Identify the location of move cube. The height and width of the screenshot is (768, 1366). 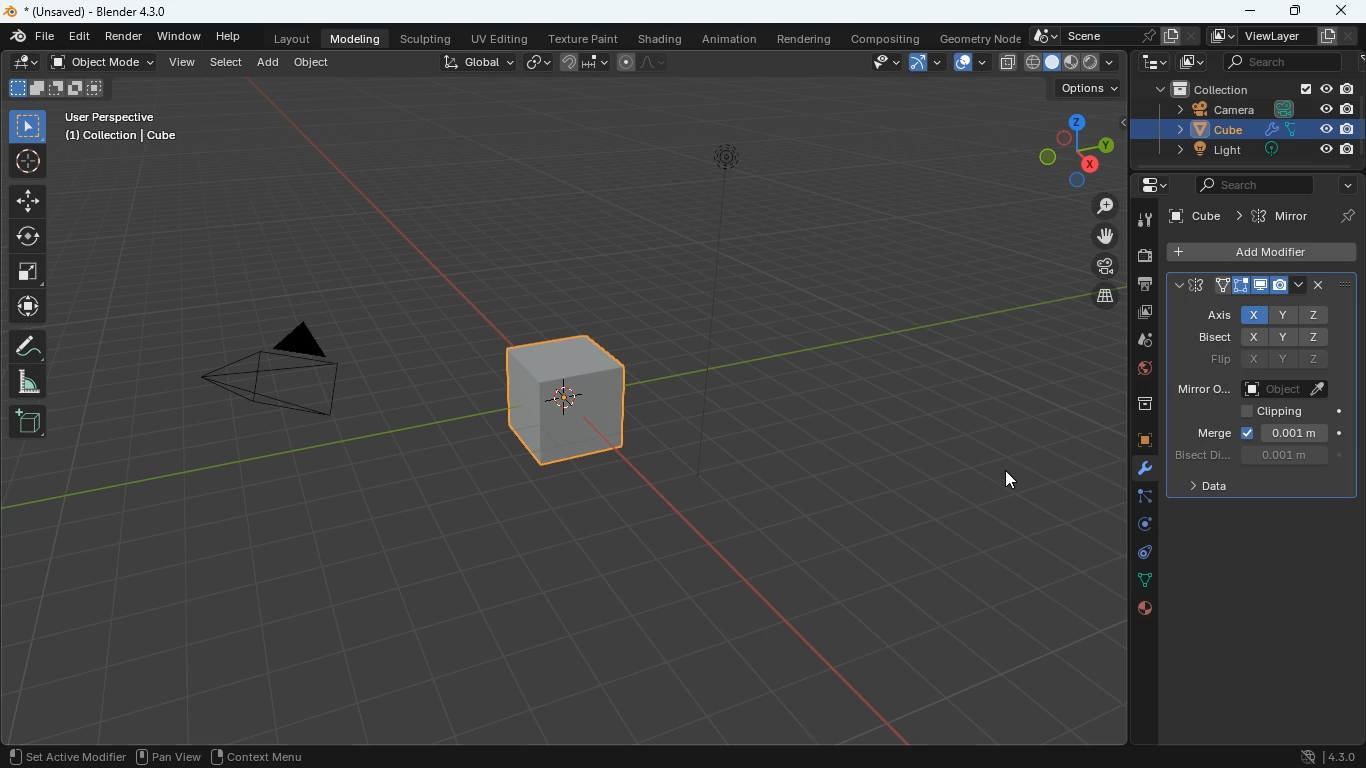
(28, 307).